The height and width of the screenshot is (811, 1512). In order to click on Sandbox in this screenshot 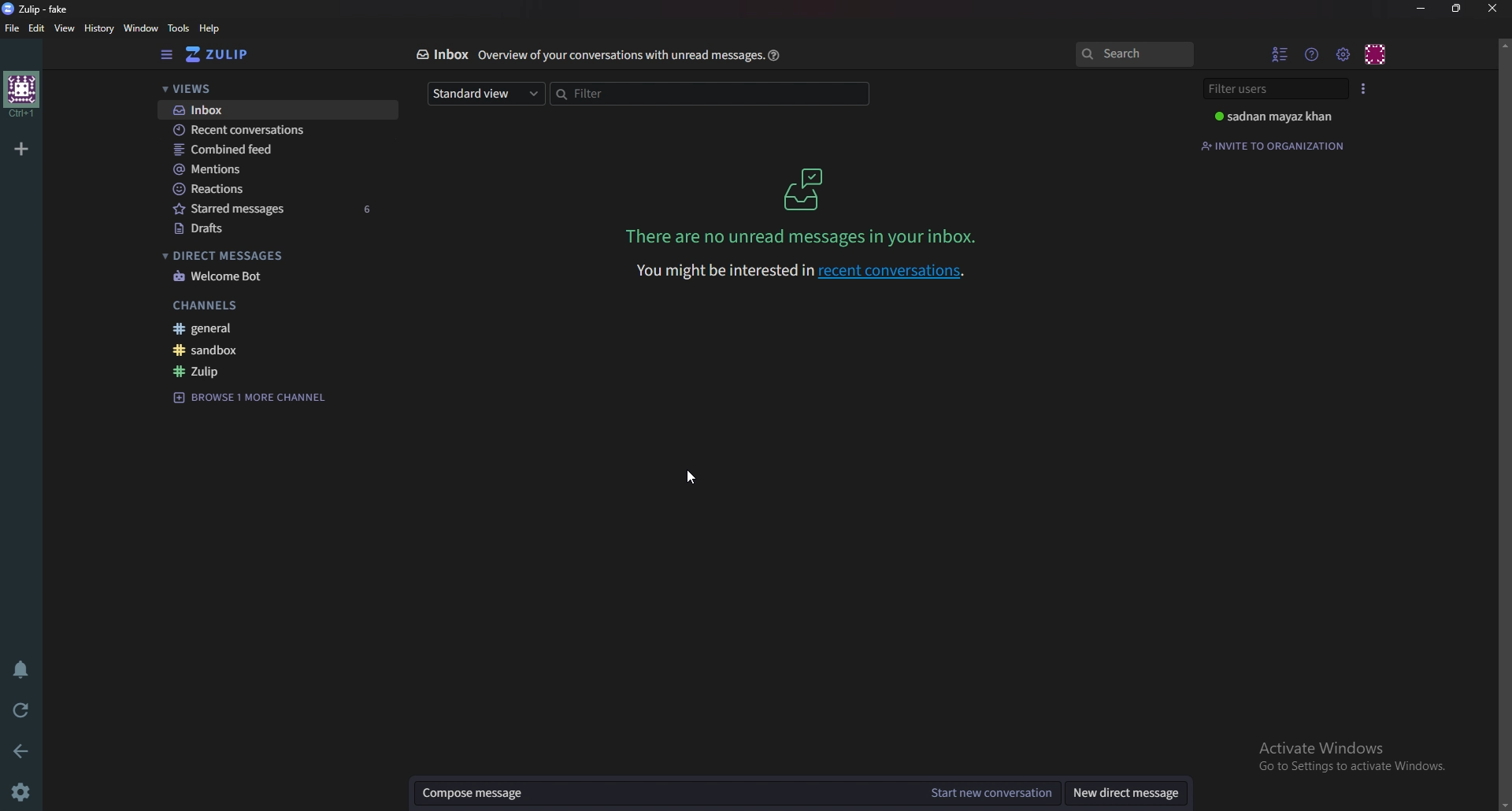, I will do `click(262, 350)`.